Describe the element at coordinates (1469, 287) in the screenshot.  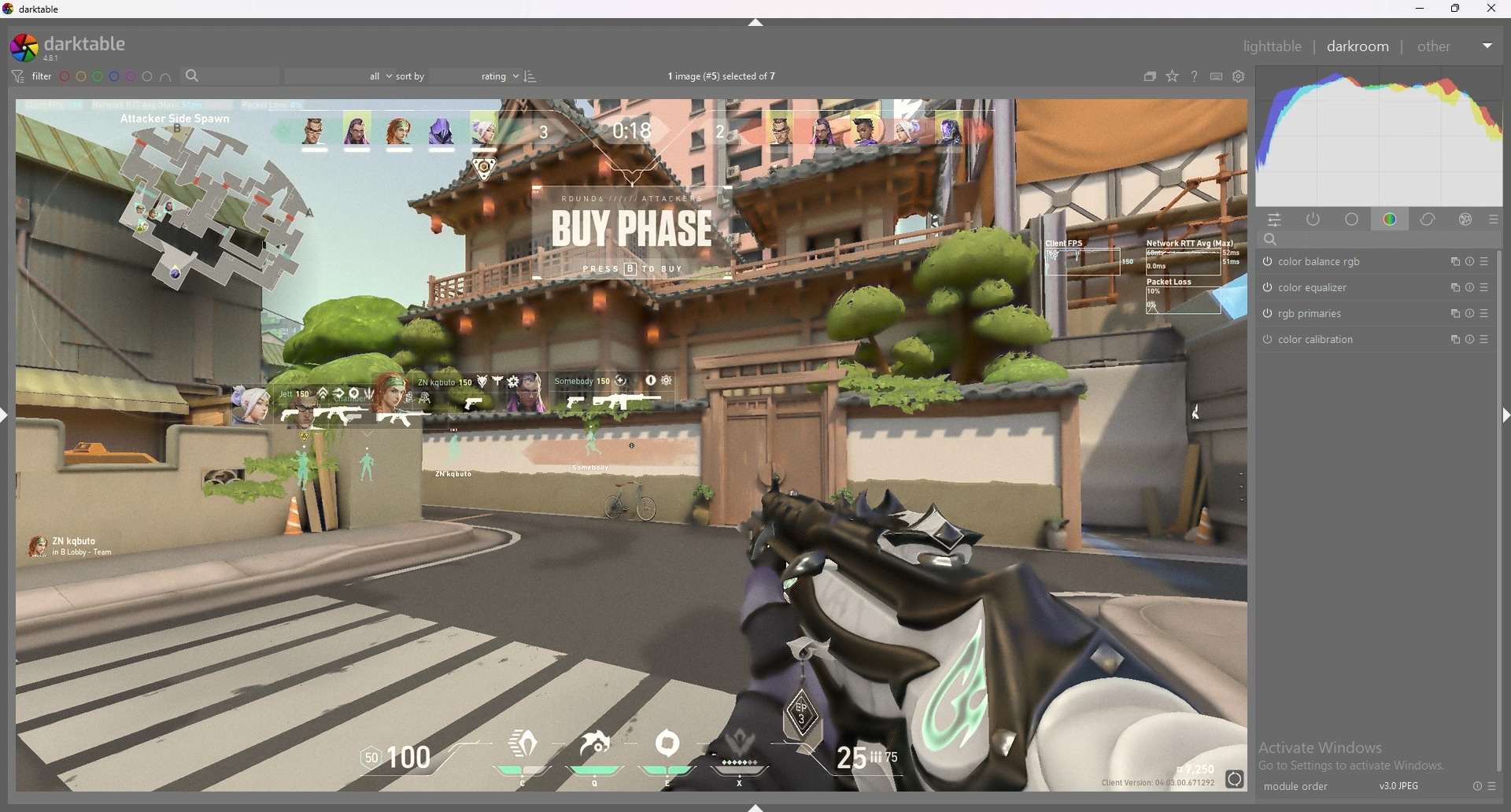
I see `reset` at that location.